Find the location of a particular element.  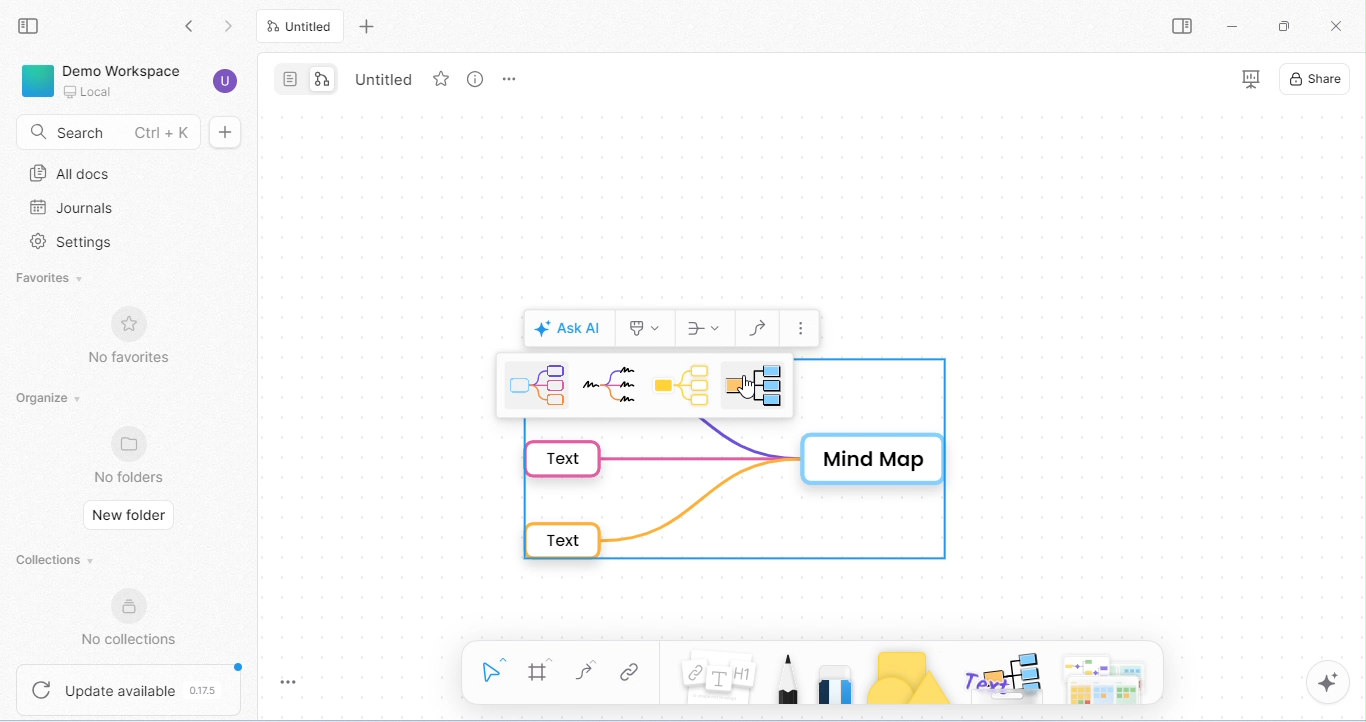

connectors is located at coordinates (586, 672).